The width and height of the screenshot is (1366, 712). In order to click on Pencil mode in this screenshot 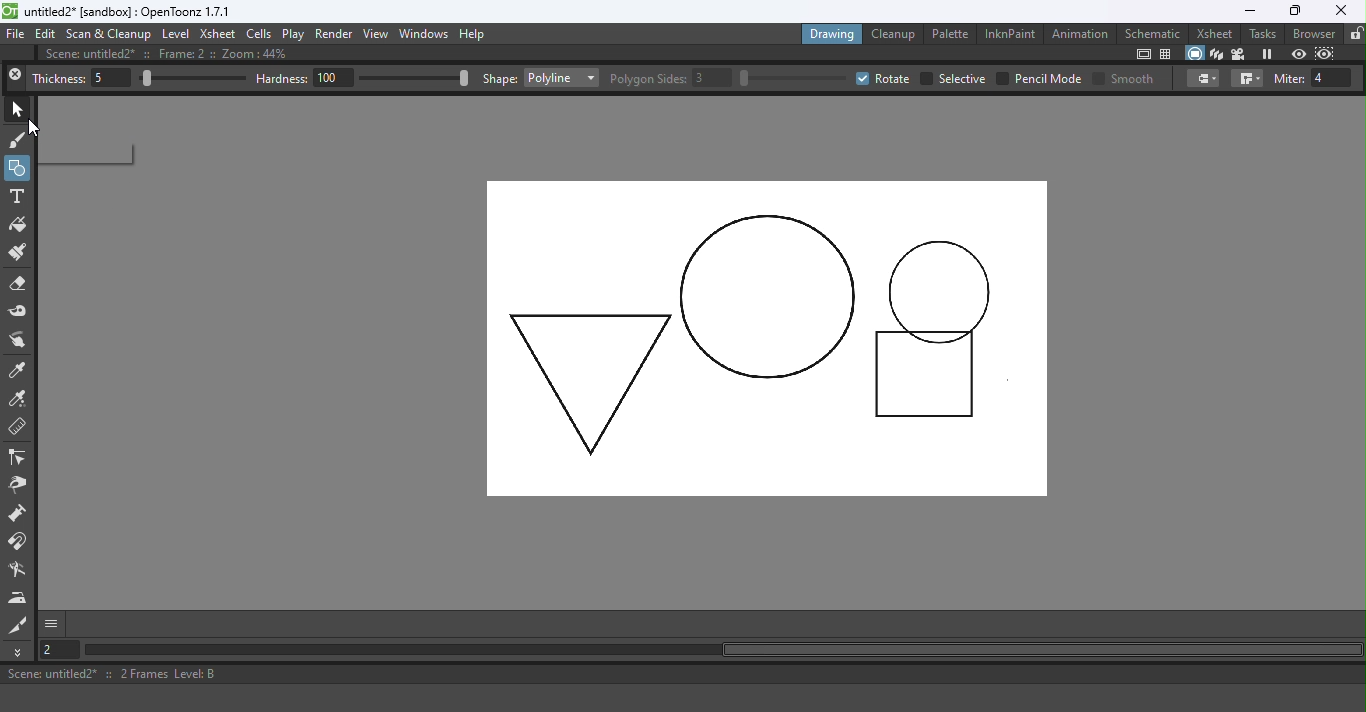, I will do `click(1038, 78)`.